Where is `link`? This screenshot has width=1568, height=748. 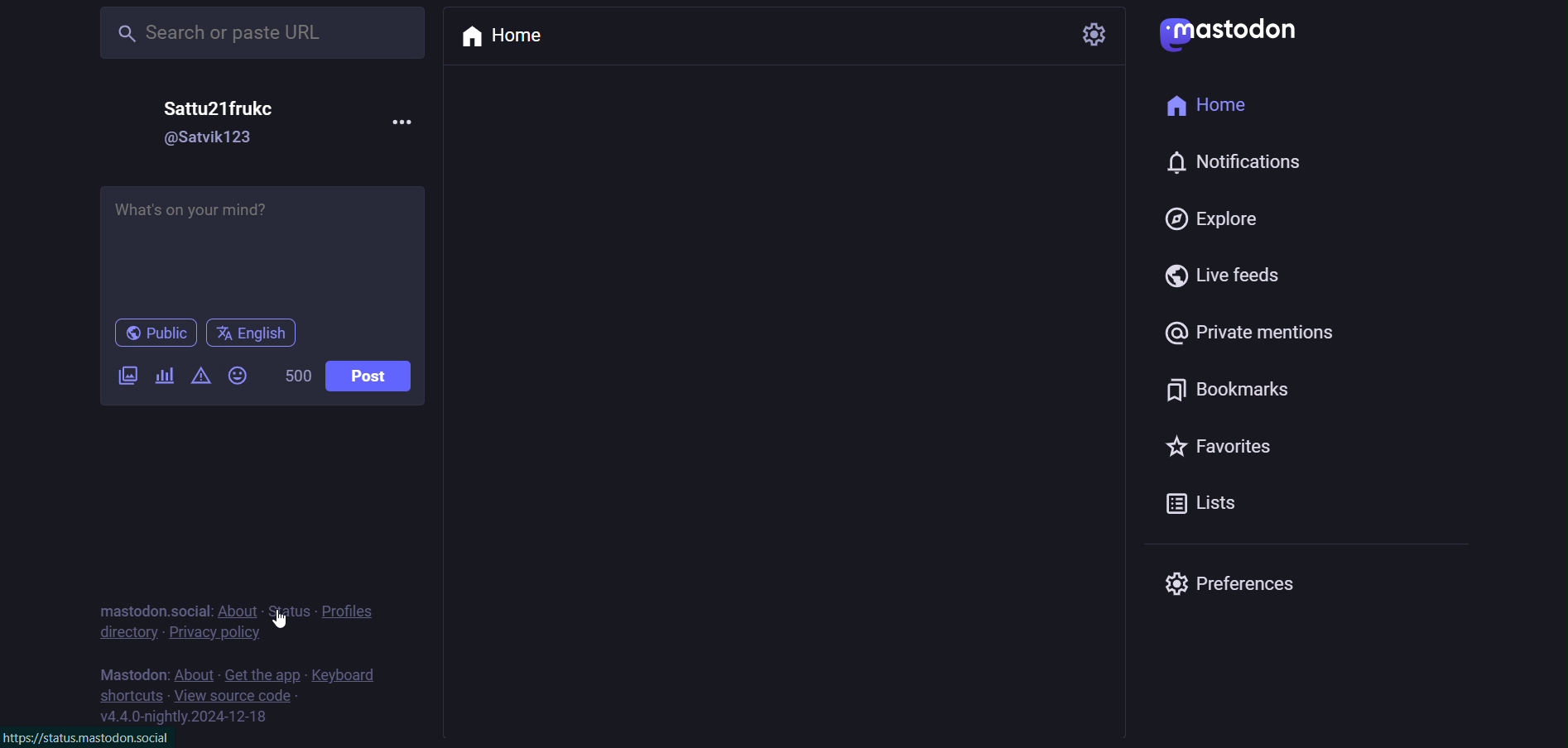 link is located at coordinates (92, 738).